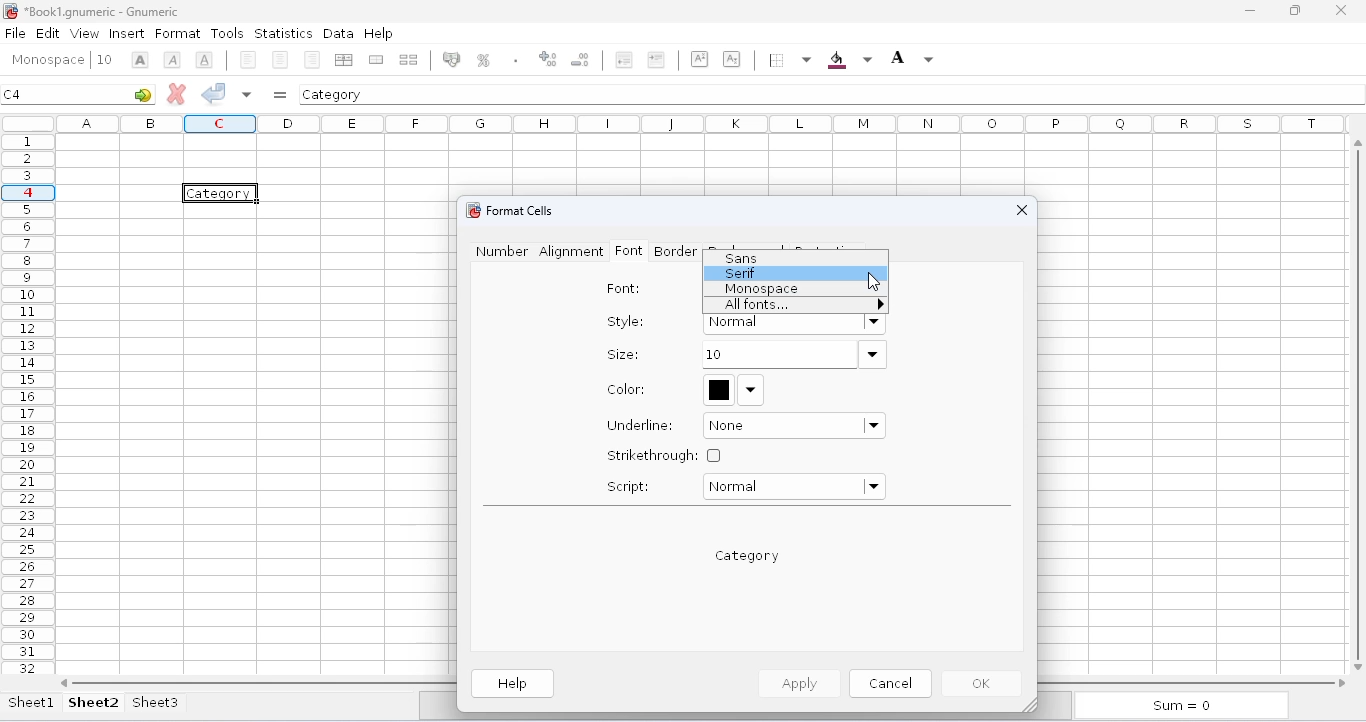  Describe the element at coordinates (581, 59) in the screenshot. I see `decrease the number of decimals displayed` at that location.